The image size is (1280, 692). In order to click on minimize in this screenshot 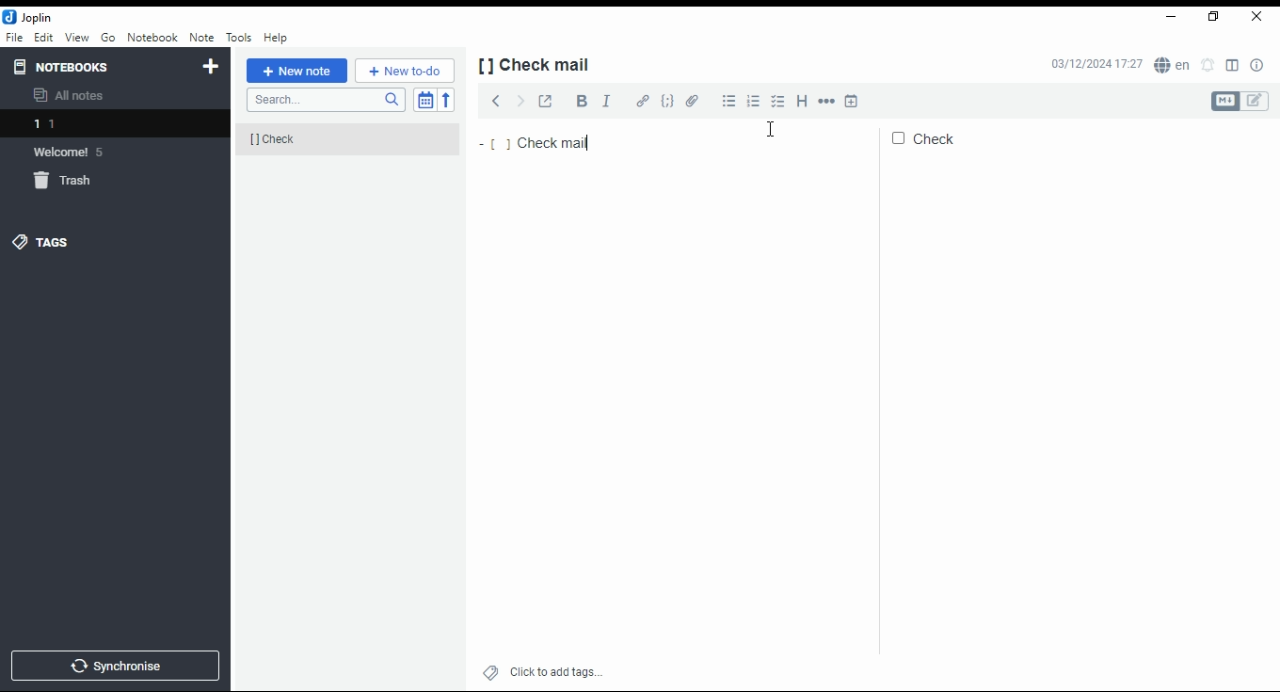, I will do `click(1170, 16)`.